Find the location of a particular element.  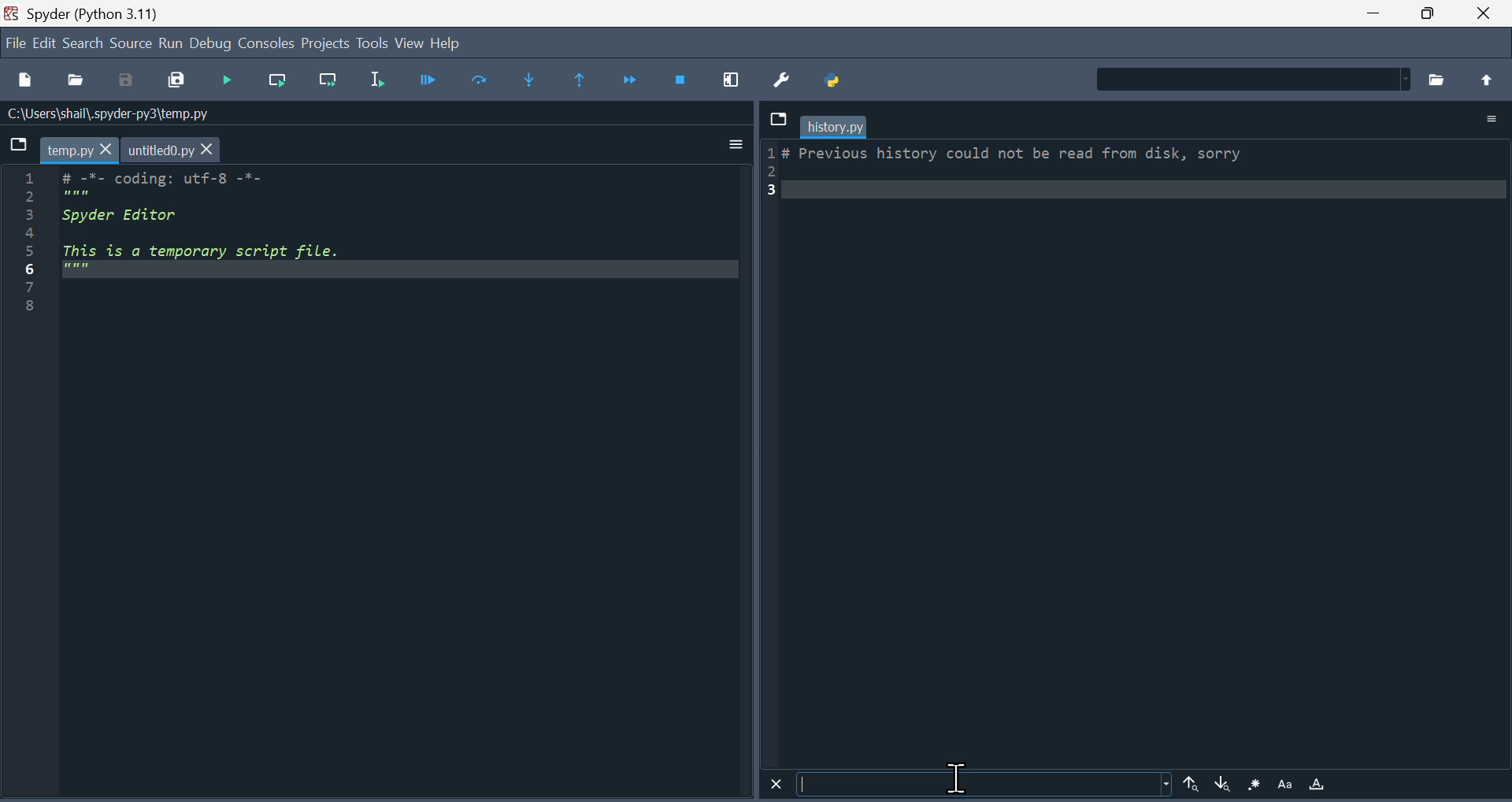

Step into function is located at coordinates (534, 80).